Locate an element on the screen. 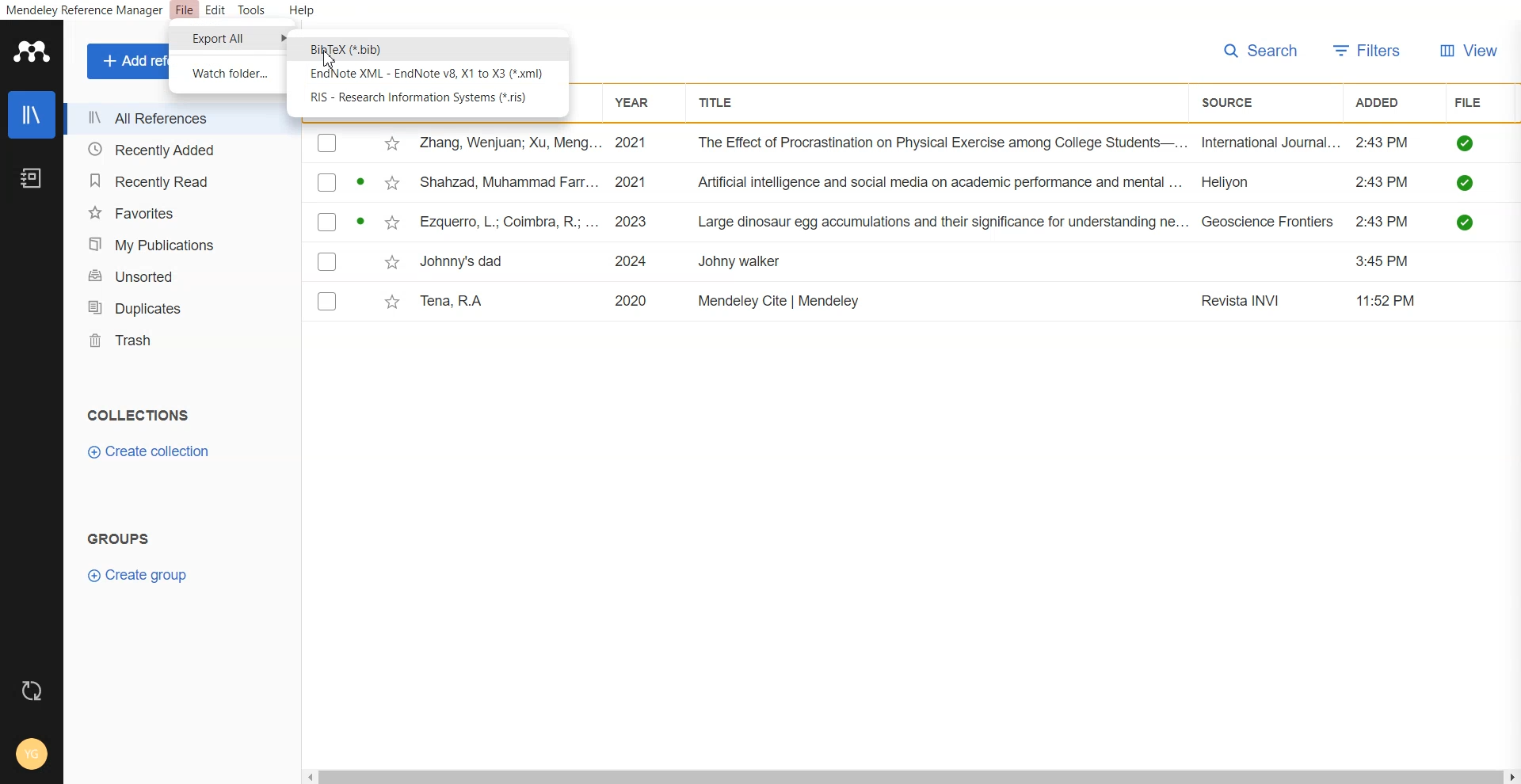  Trash is located at coordinates (178, 339).